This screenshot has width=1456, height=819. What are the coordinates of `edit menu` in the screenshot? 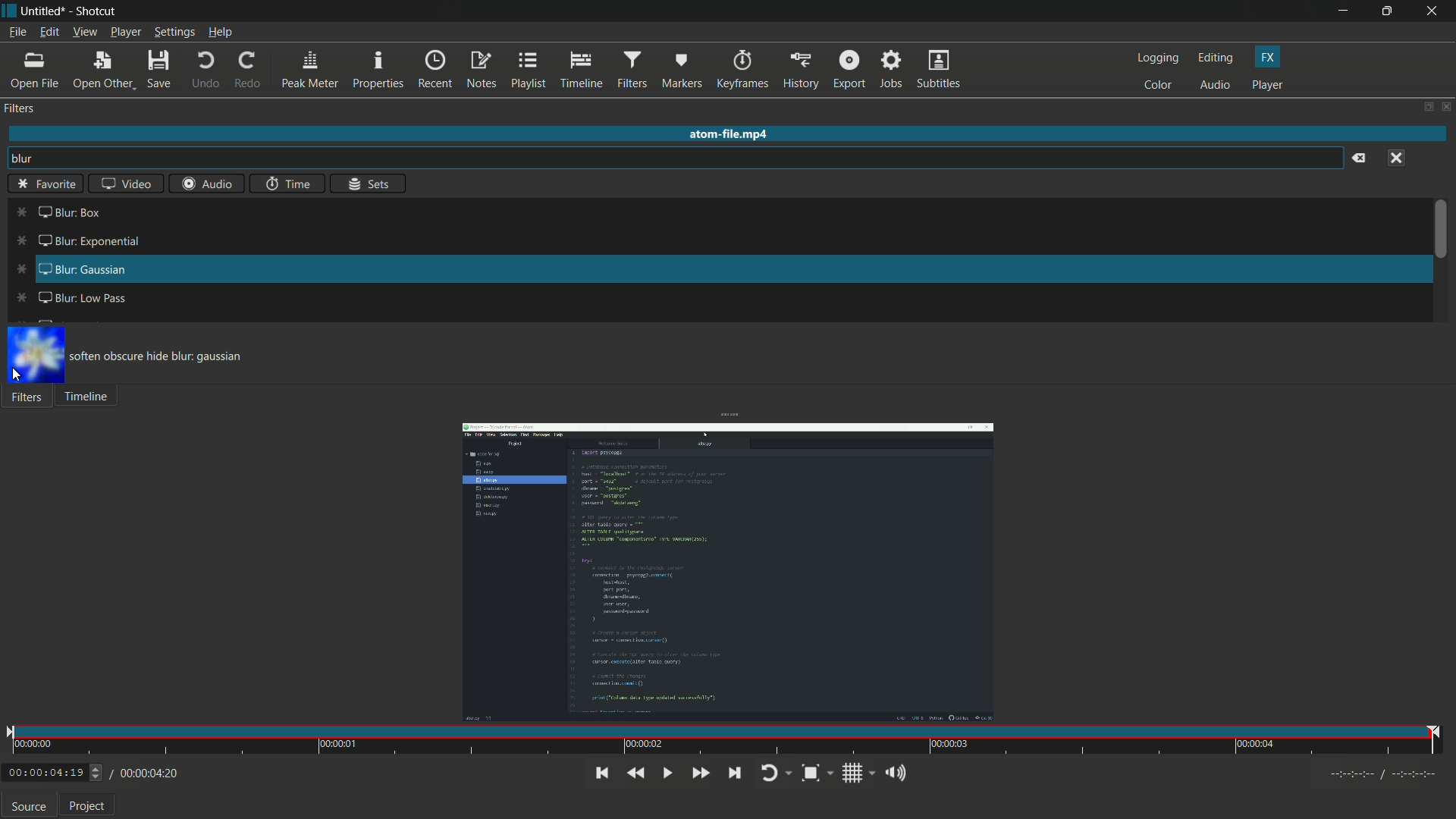 It's located at (49, 32).